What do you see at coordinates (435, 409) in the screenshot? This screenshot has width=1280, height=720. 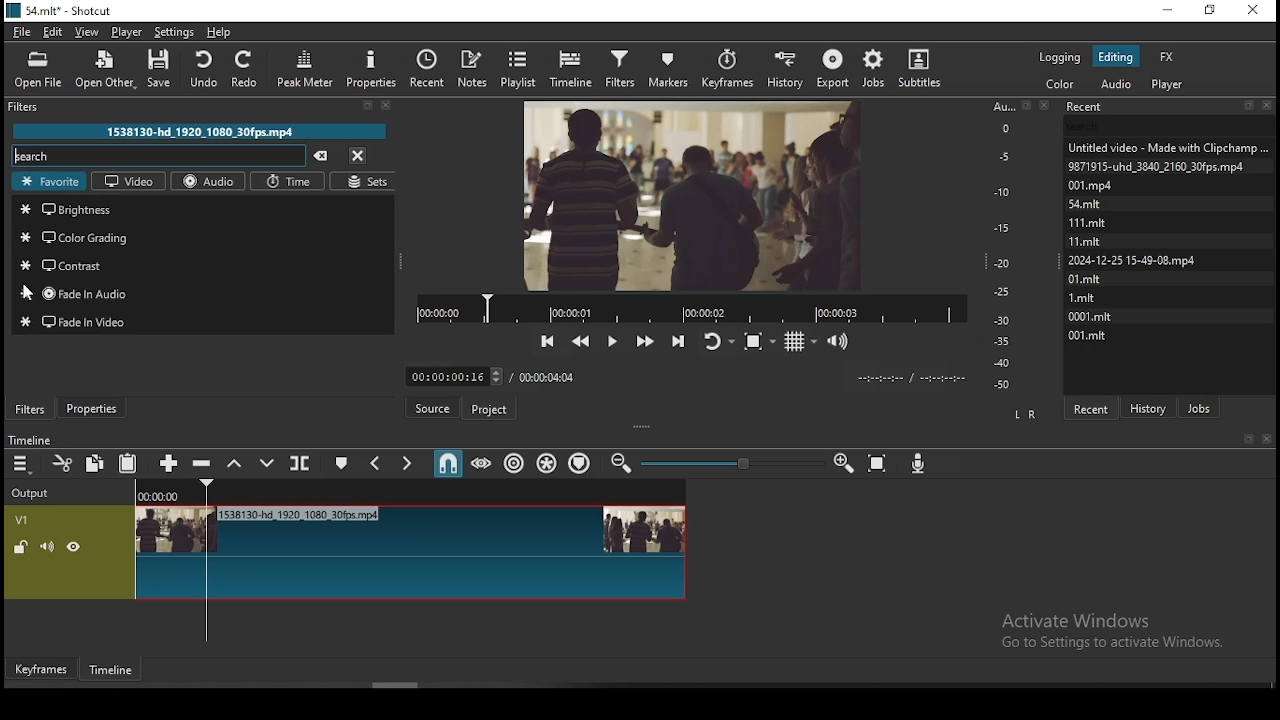 I see `source` at bounding box center [435, 409].